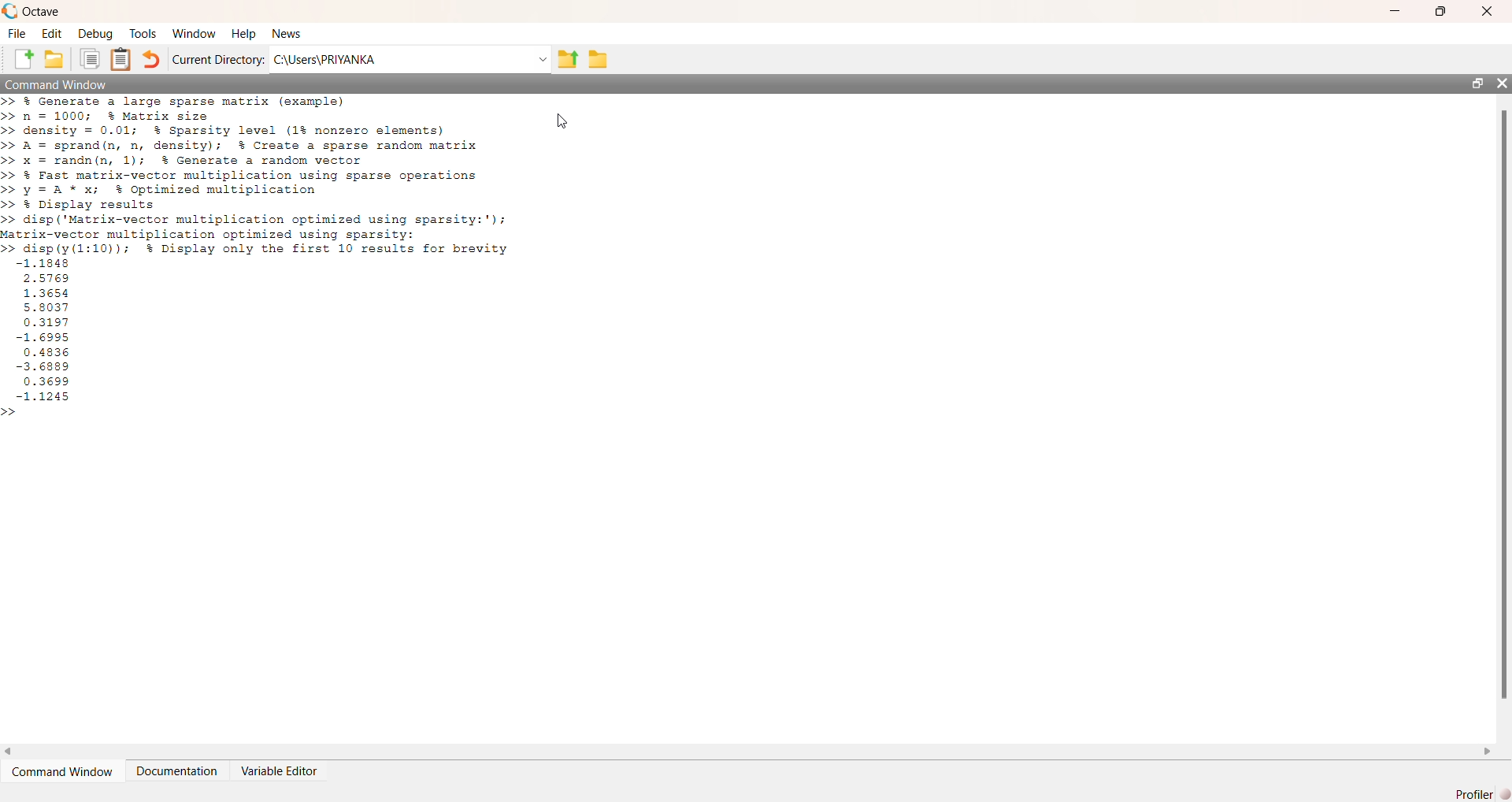  I want to click on logo, so click(9, 10).